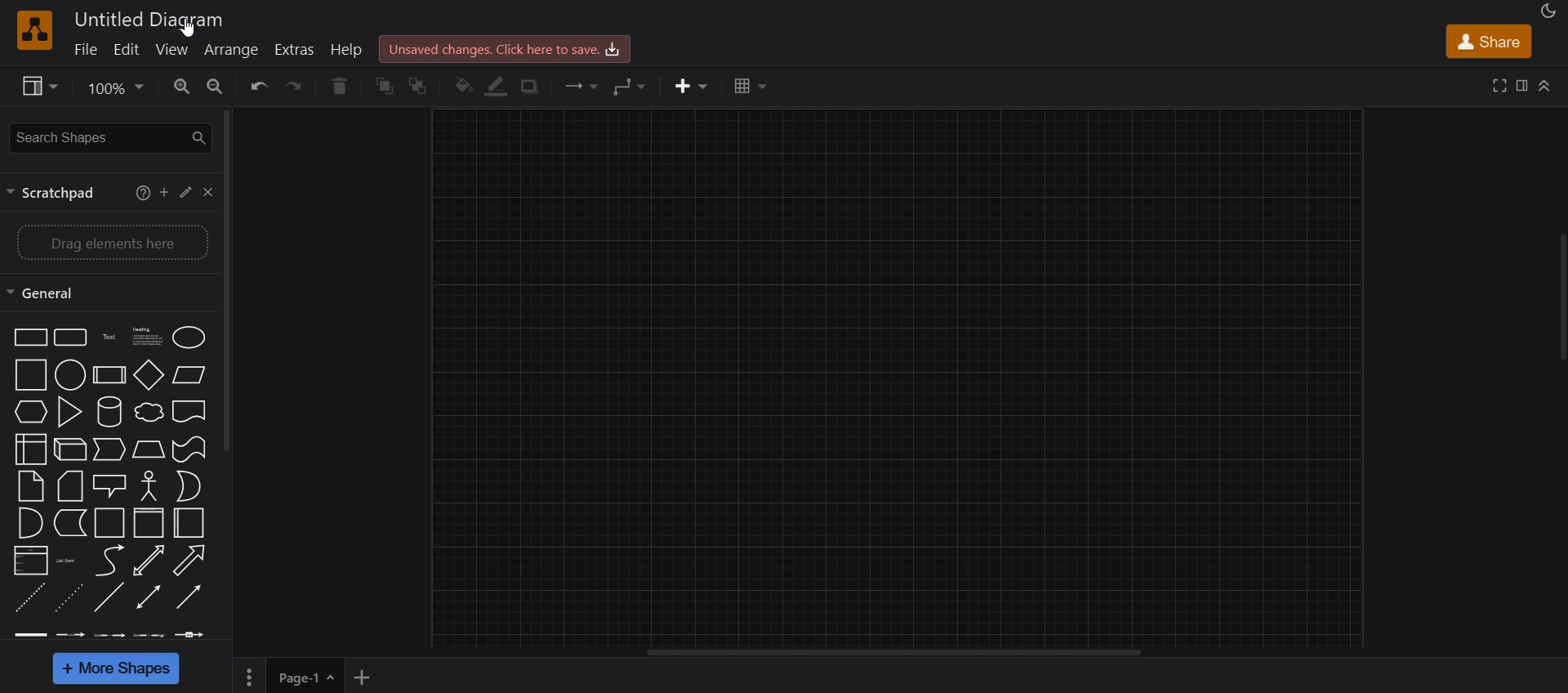  I want to click on drag elements here, so click(111, 240).